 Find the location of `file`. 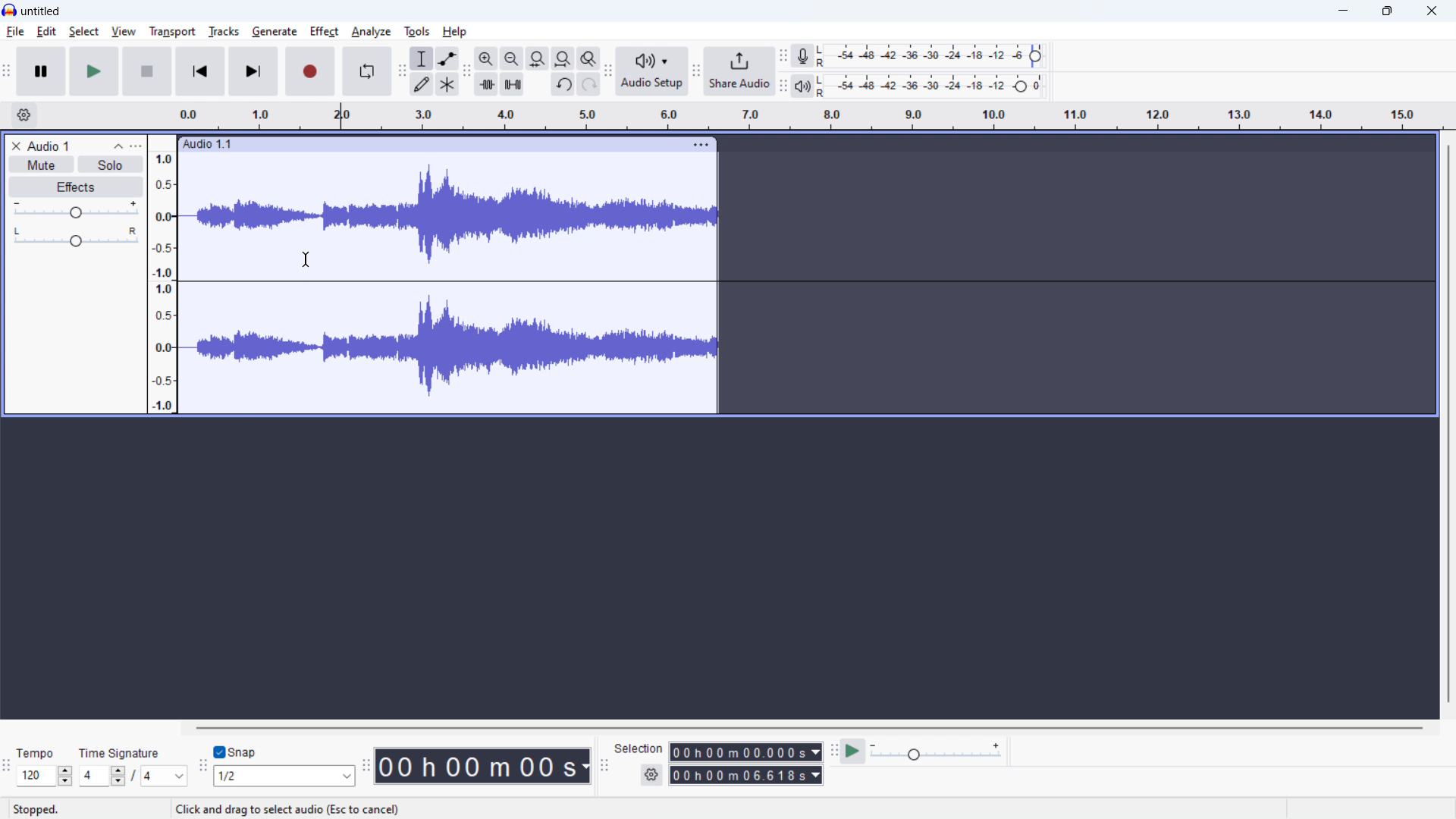

file is located at coordinates (16, 32).